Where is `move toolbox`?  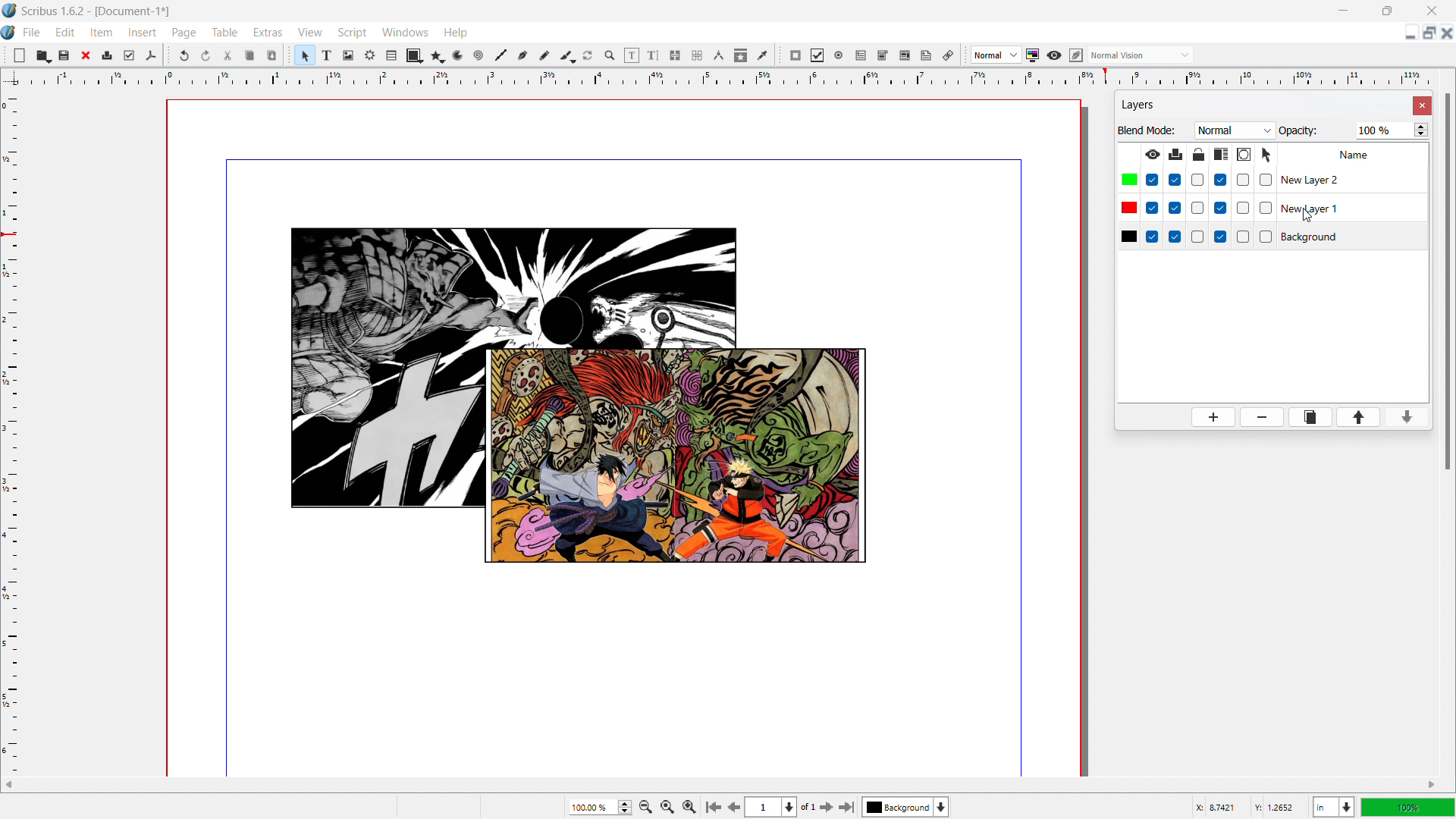
move toolbox is located at coordinates (289, 54).